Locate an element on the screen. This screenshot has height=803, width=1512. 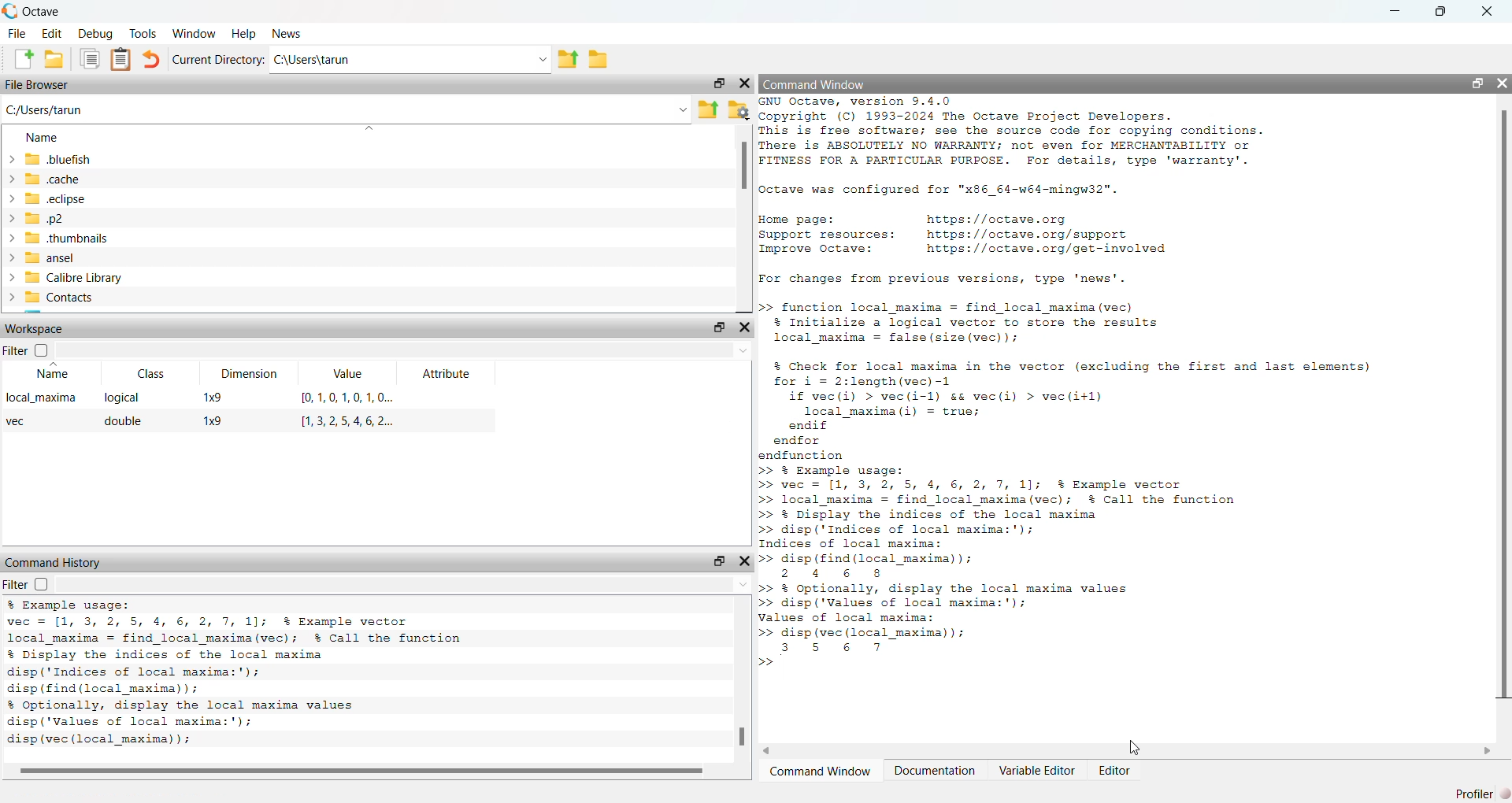
horizontal scroll bar is located at coordinates (1128, 751).